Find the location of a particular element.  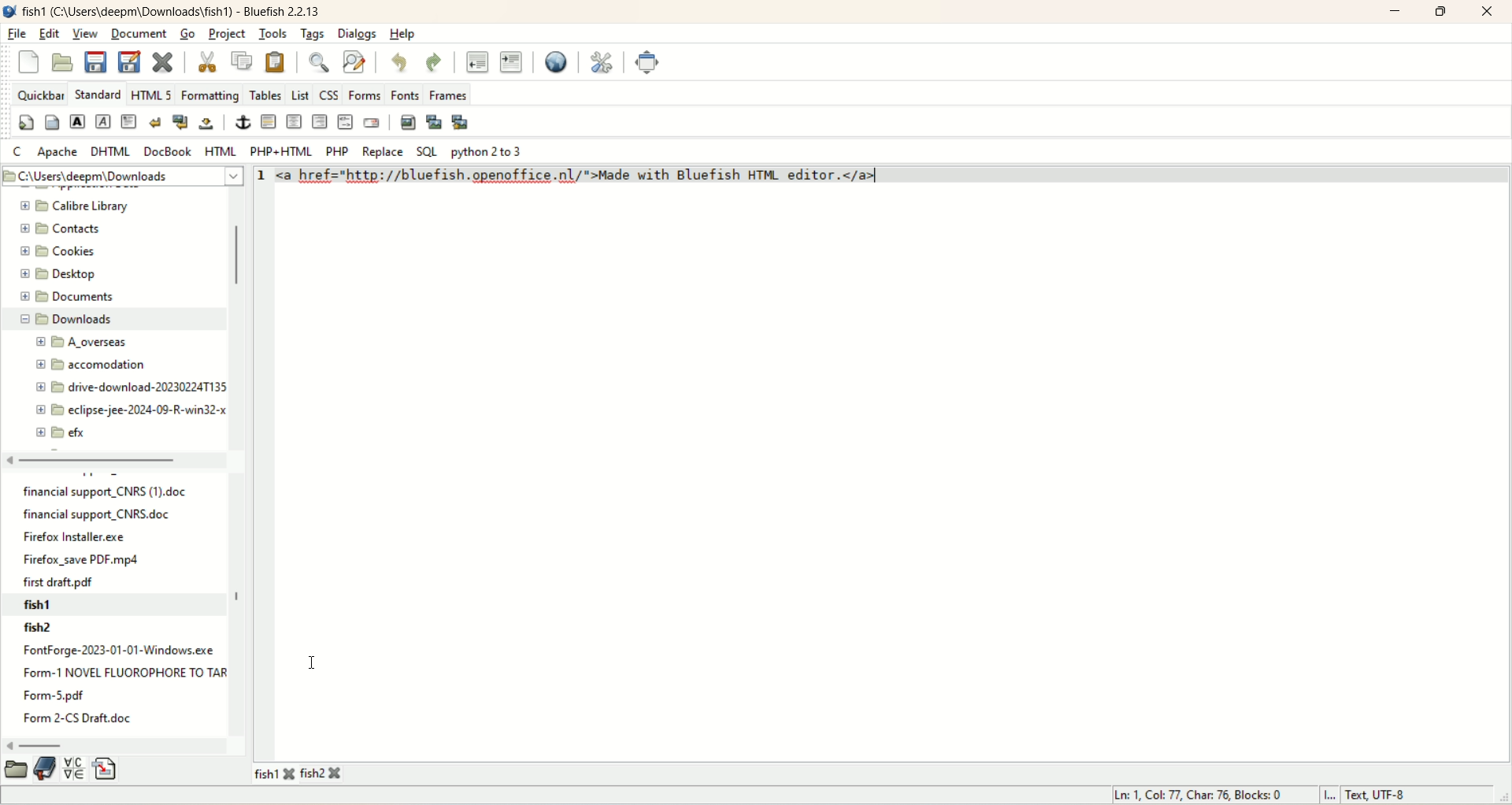

HTML comment is located at coordinates (345, 121).